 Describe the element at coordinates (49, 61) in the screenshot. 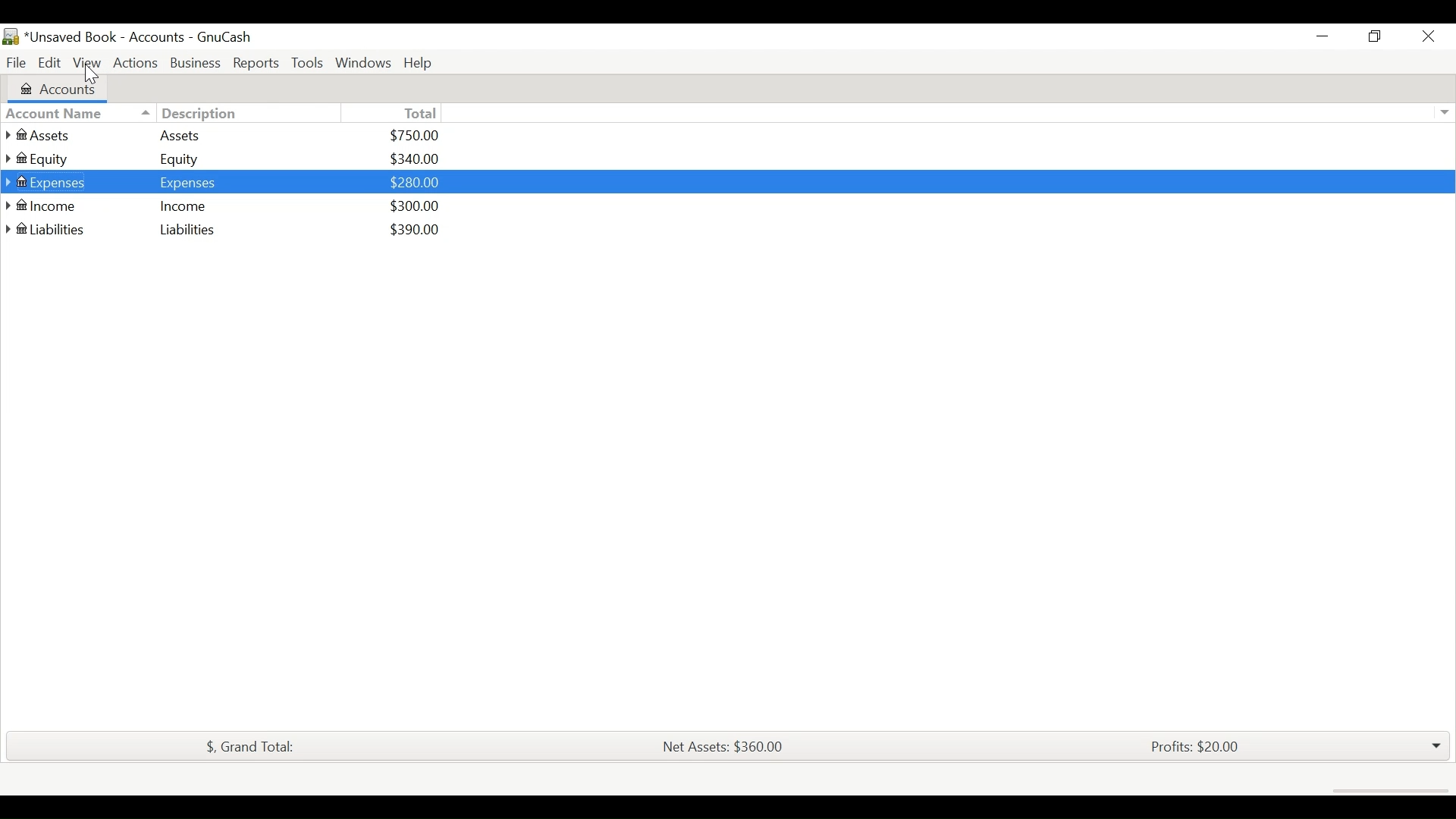

I see `Edit` at that location.